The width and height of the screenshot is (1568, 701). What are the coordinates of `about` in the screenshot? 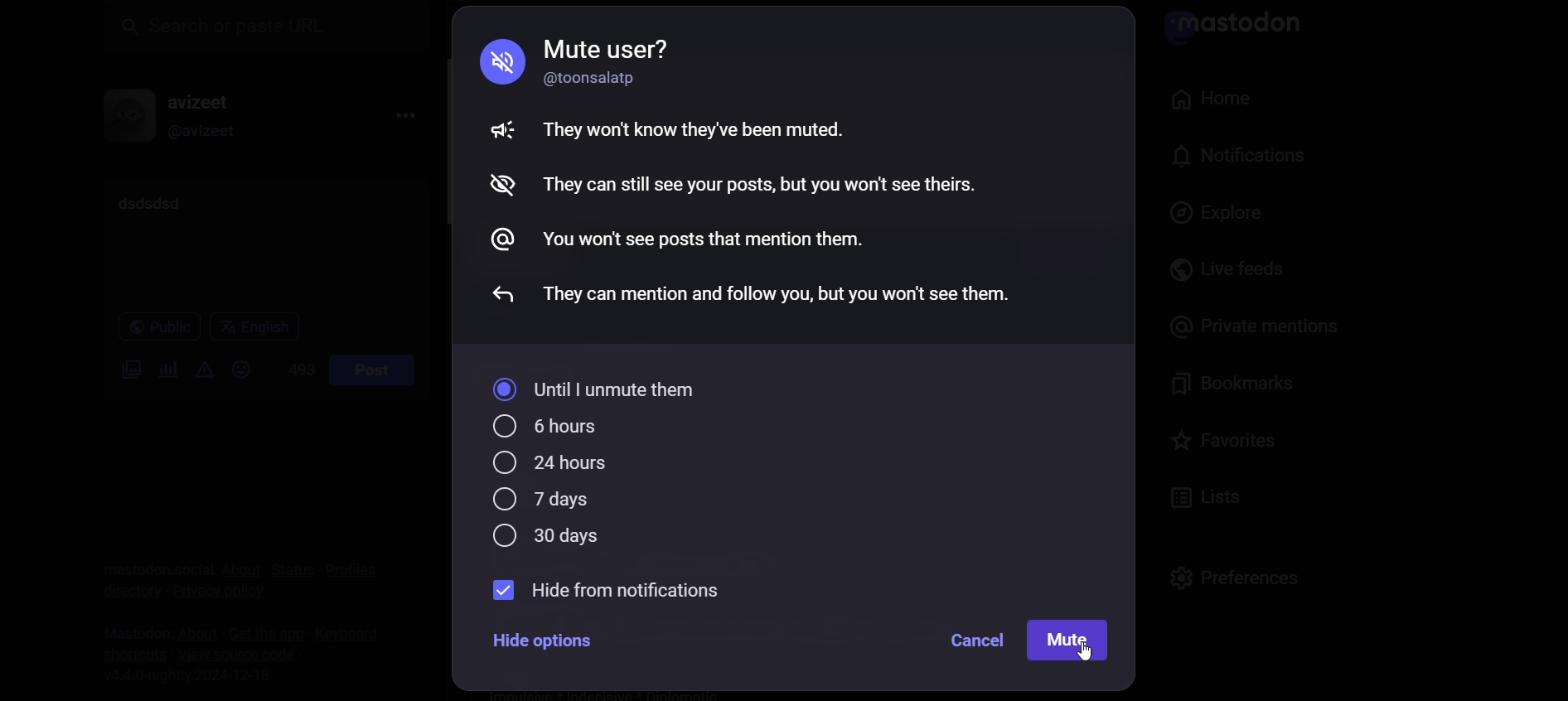 It's located at (191, 626).